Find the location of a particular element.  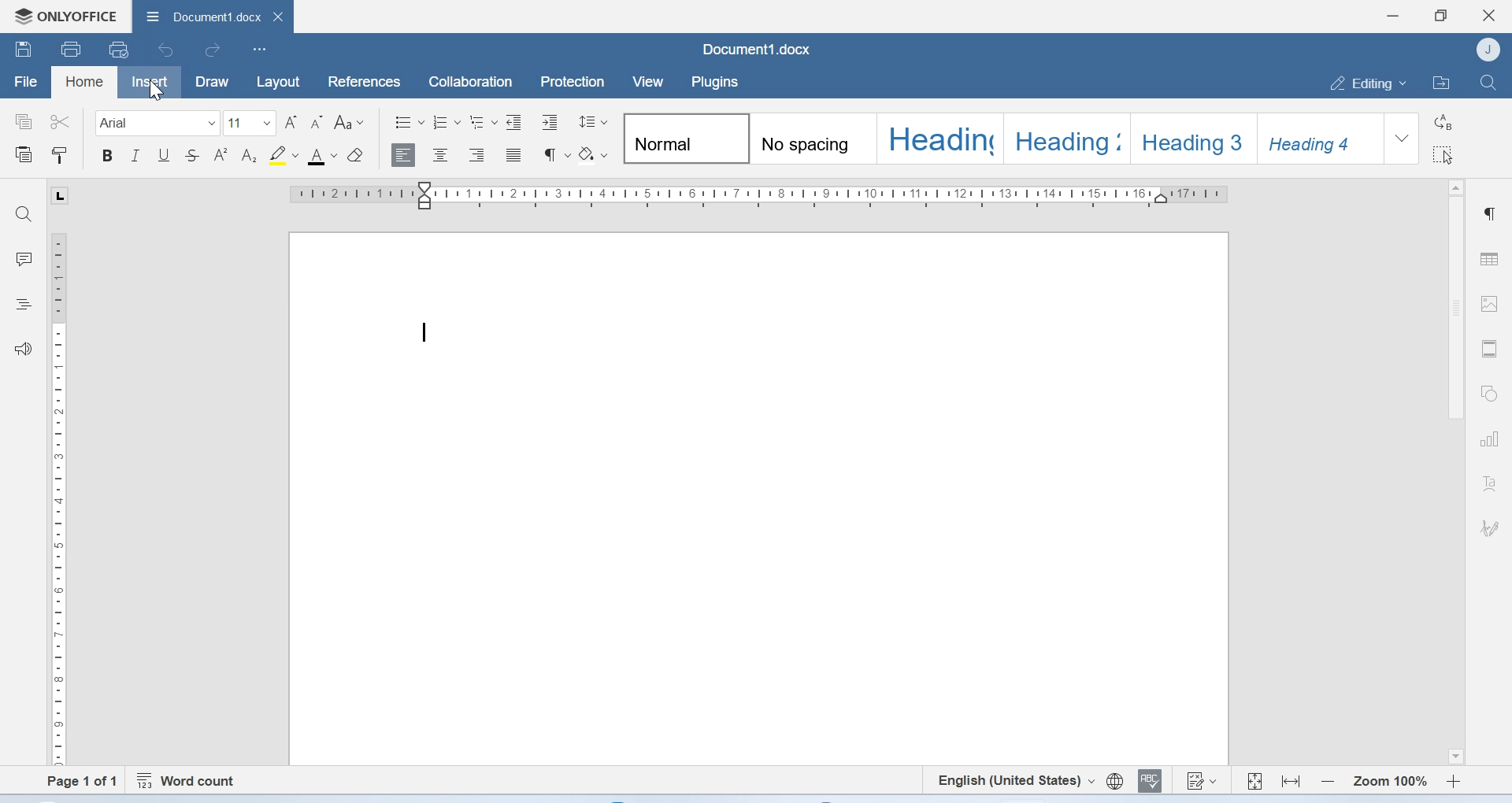

Scroll up is located at coordinates (1455, 187).